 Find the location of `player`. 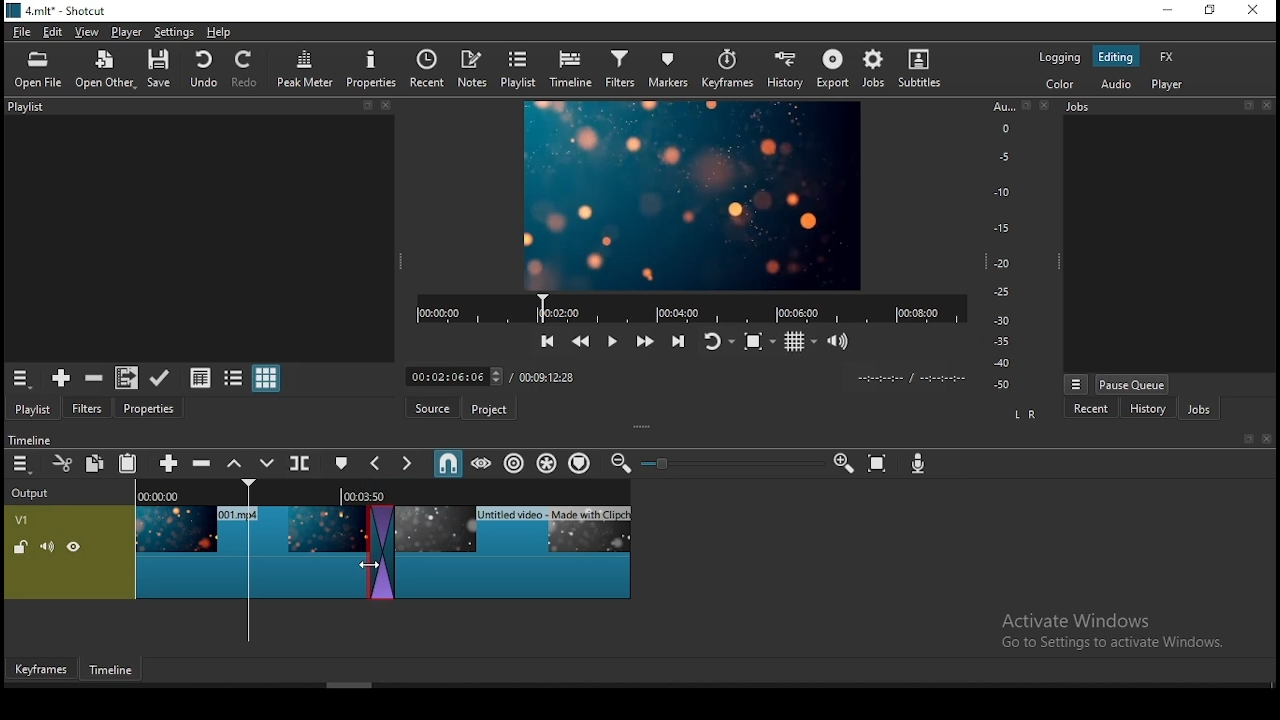

player is located at coordinates (1167, 86).